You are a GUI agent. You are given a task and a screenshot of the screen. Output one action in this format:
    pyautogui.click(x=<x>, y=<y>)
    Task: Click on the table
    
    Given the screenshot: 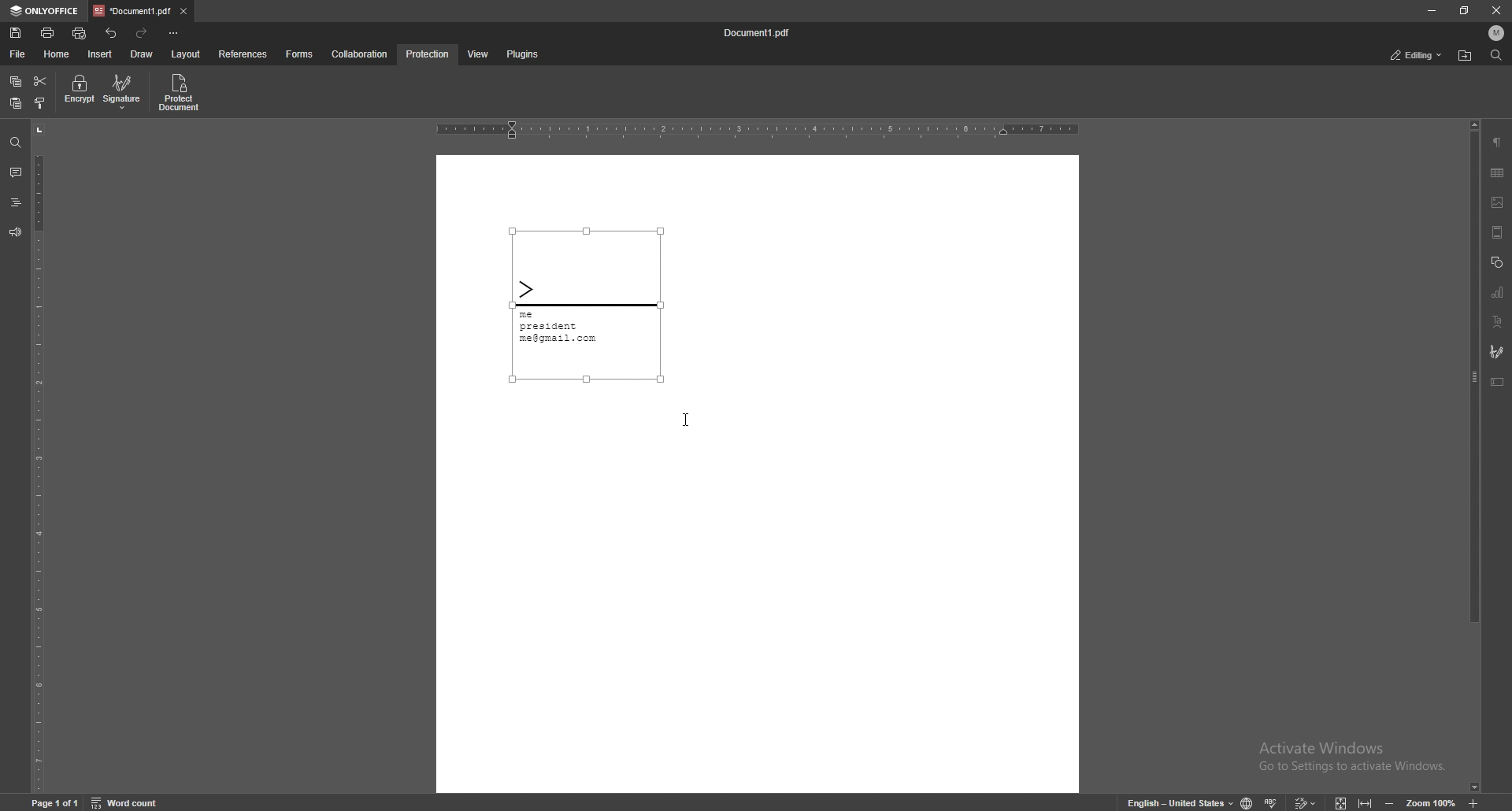 What is the action you would take?
    pyautogui.click(x=1497, y=173)
    